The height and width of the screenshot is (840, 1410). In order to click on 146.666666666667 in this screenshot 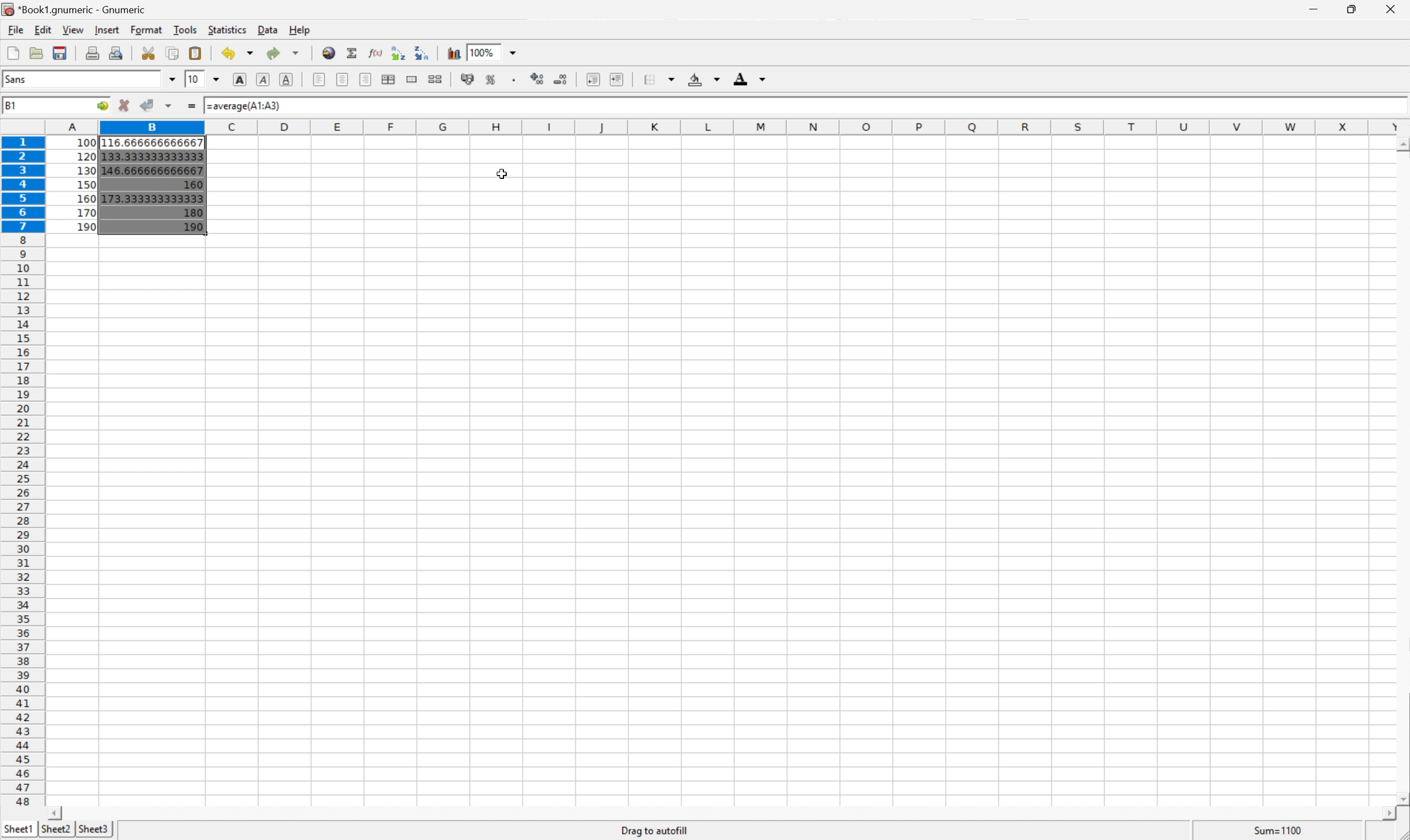, I will do `click(152, 169)`.